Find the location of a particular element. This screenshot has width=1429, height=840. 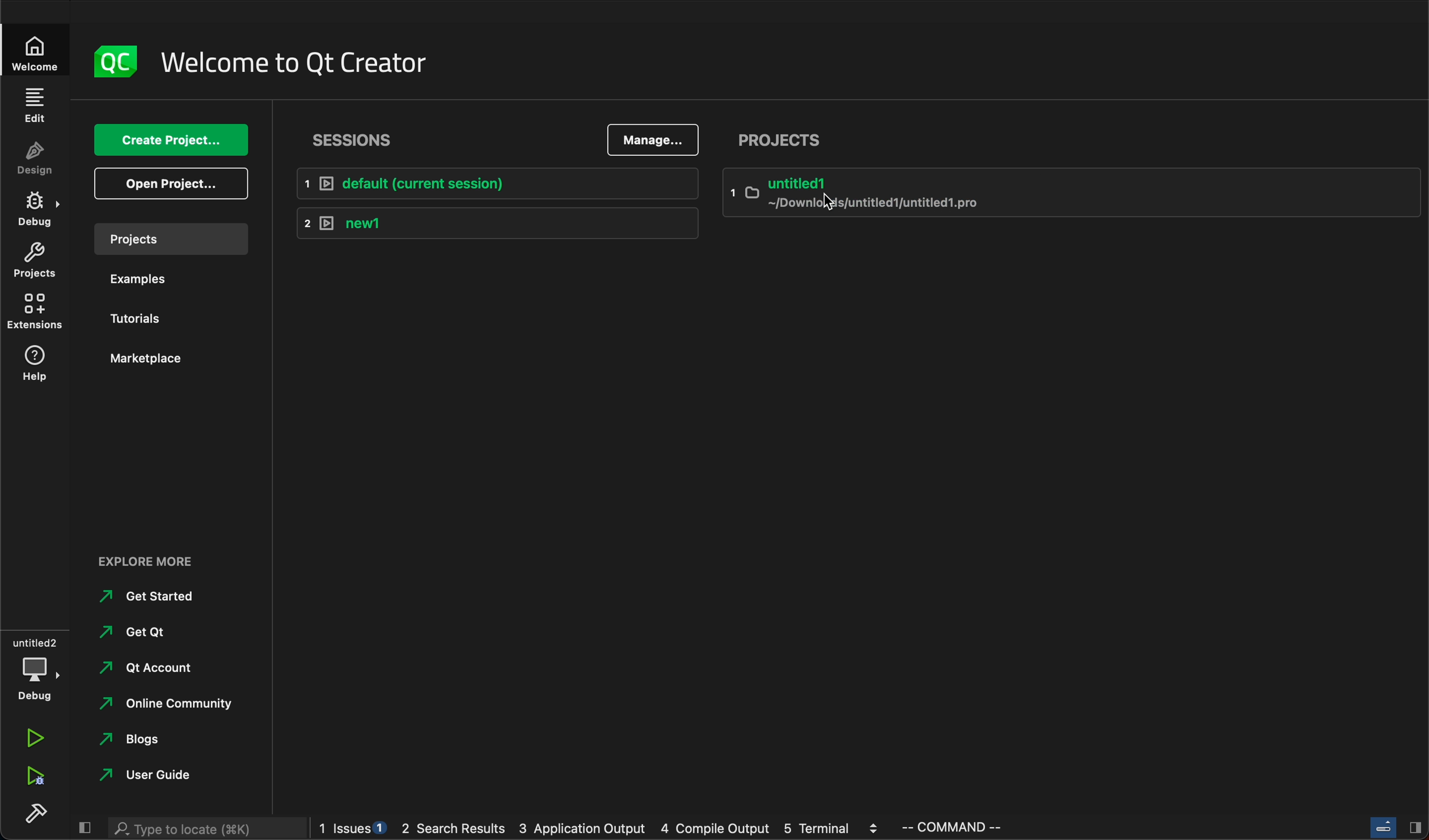

welcome is located at coordinates (34, 49).